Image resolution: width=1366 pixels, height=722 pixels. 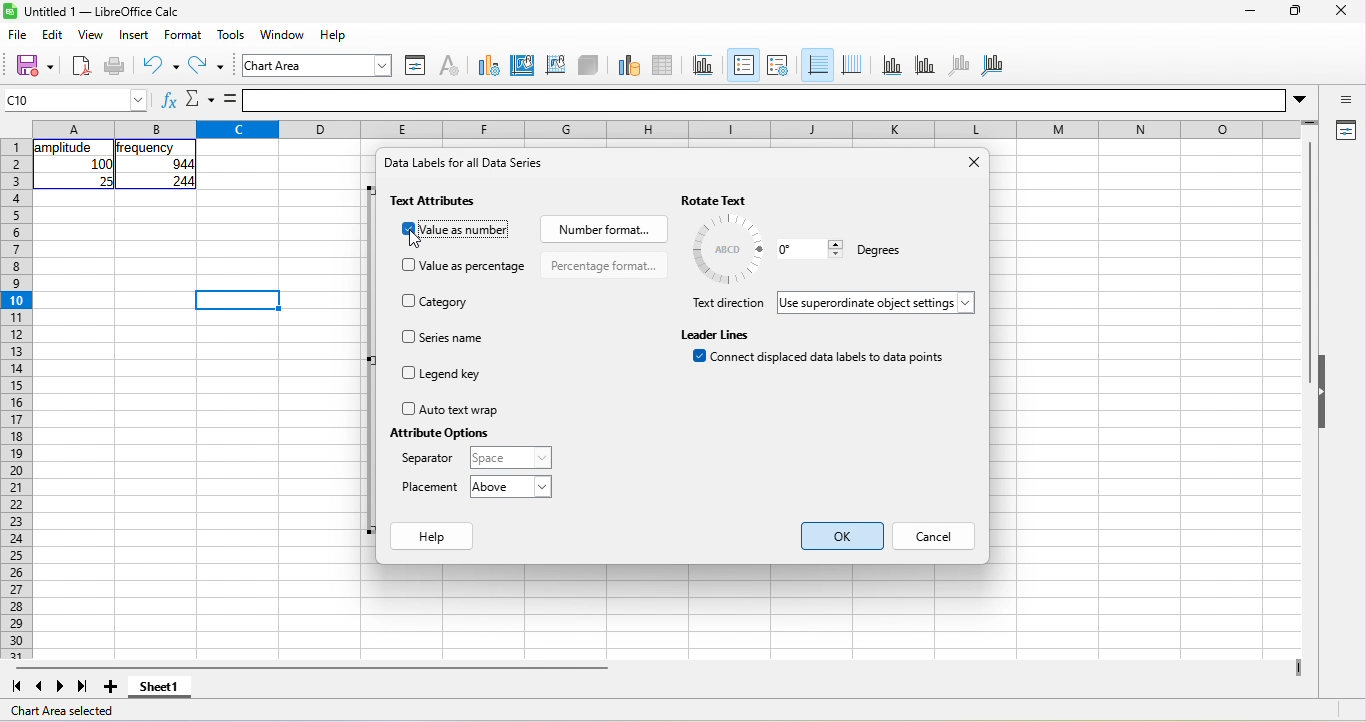 What do you see at coordinates (589, 64) in the screenshot?
I see `3d view` at bounding box center [589, 64].